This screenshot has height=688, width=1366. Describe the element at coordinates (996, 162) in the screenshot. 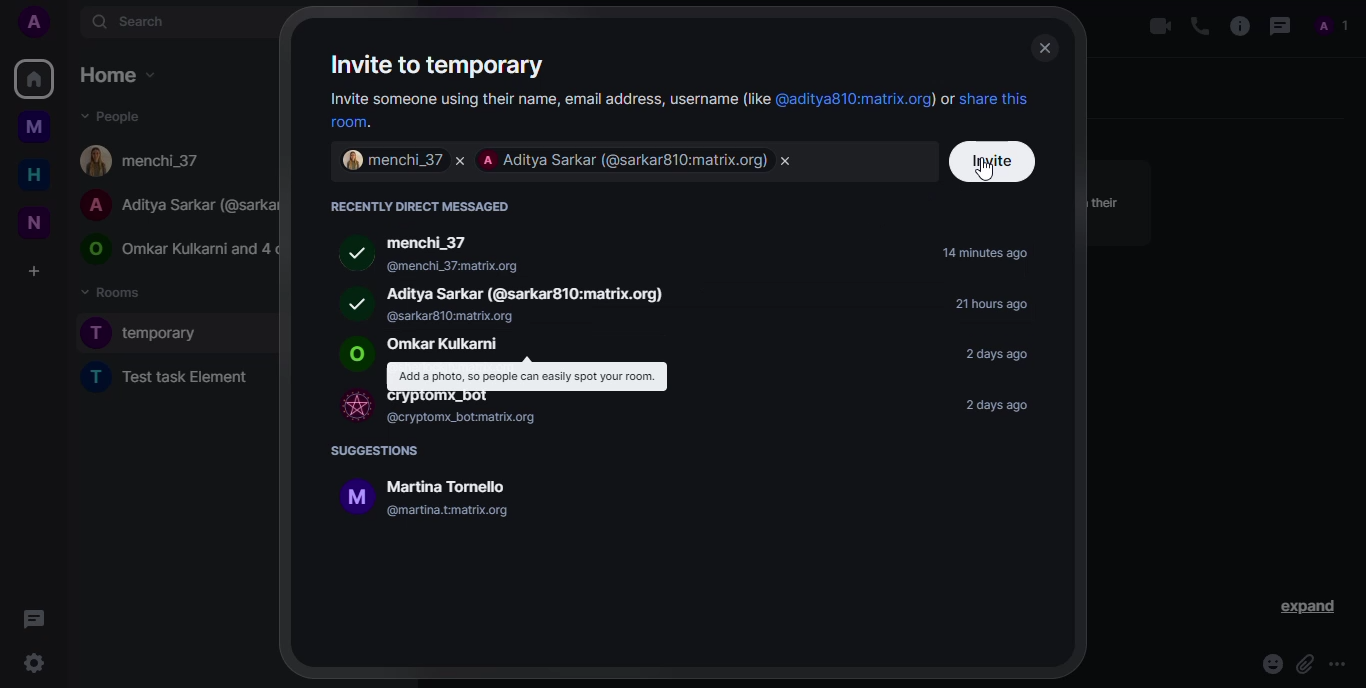

I see `invite` at that location.